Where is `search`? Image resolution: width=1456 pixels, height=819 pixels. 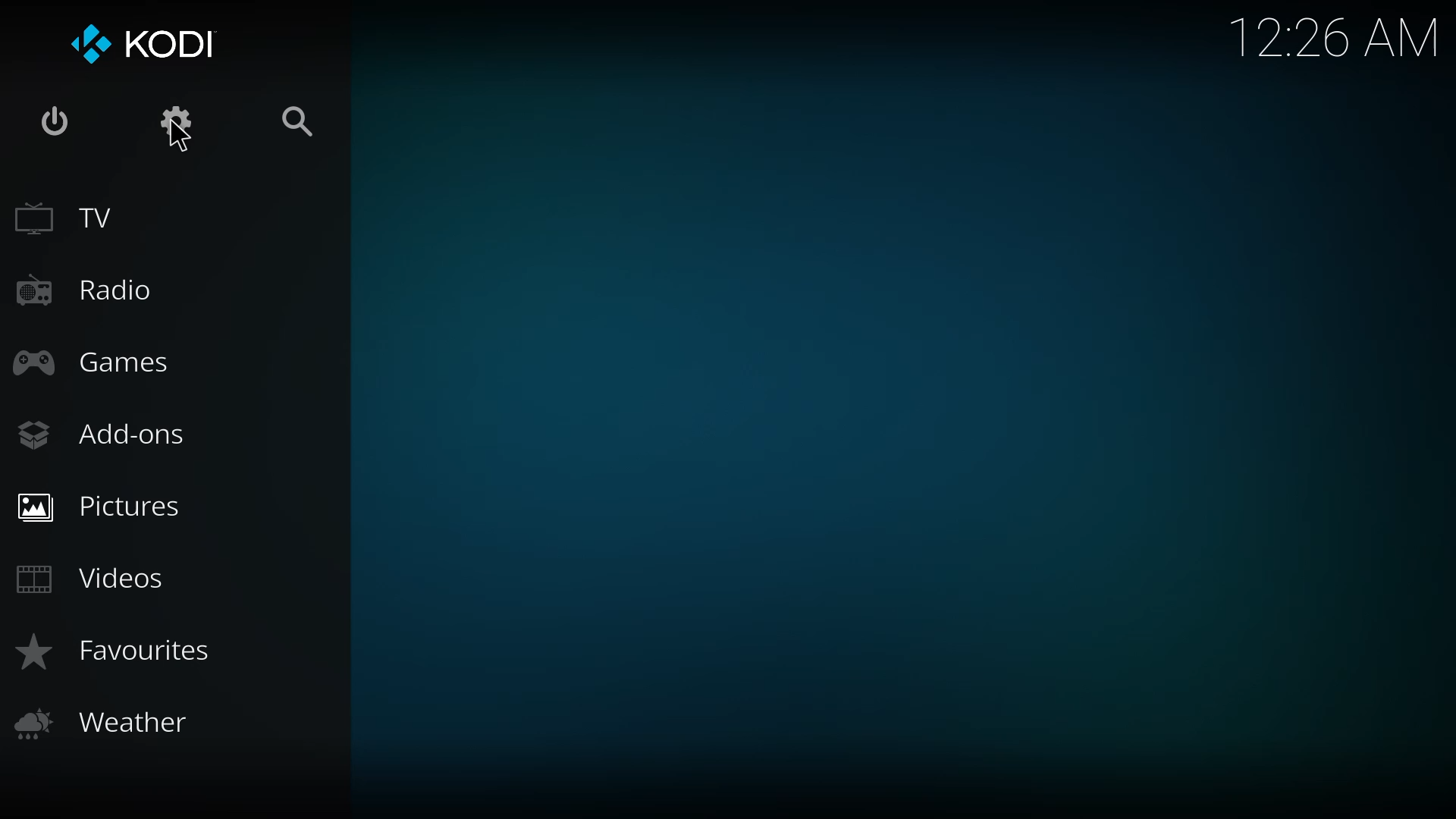
search is located at coordinates (306, 121).